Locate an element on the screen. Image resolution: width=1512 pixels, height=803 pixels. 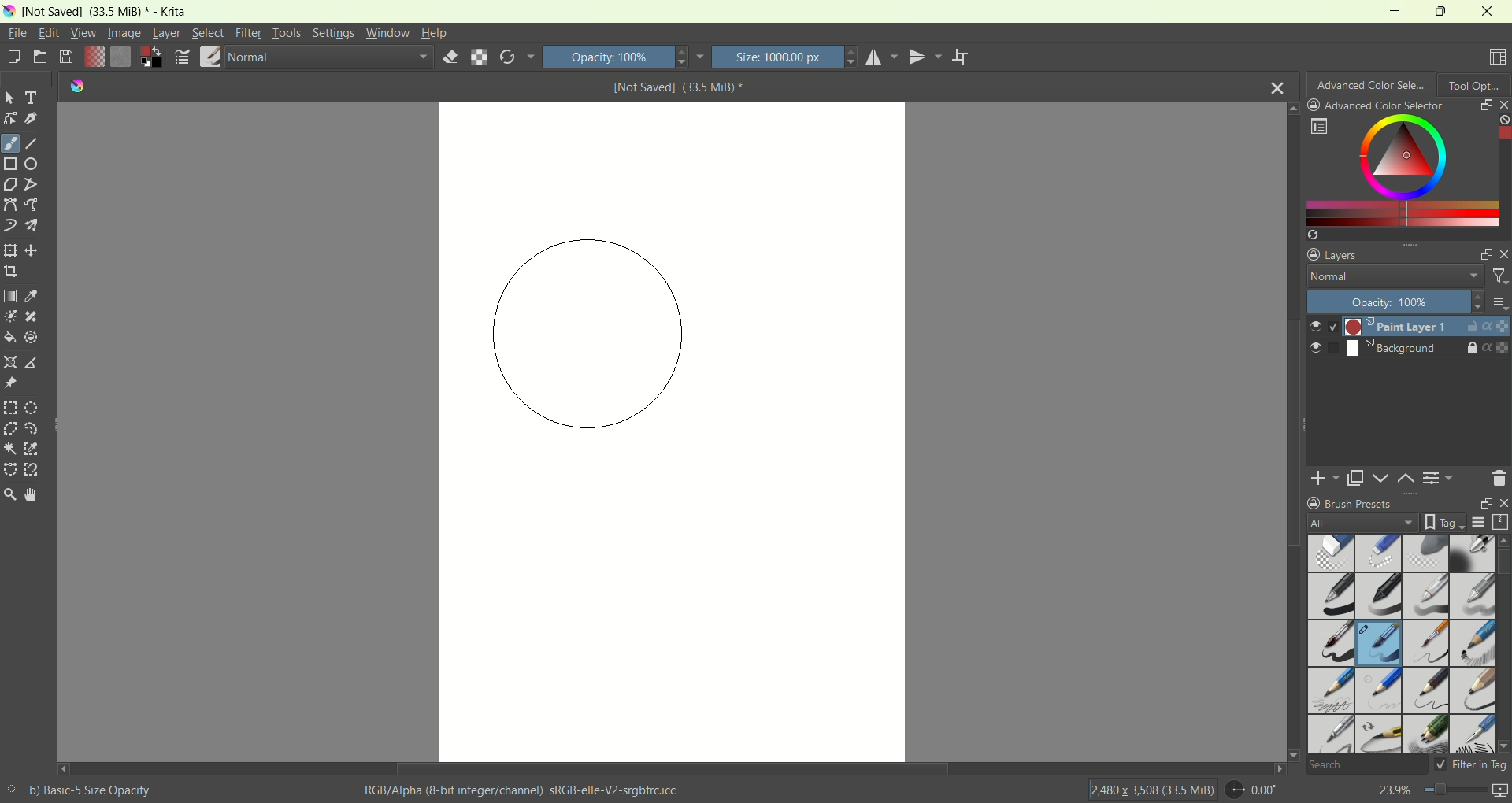
lock is located at coordinates (1472, 349).